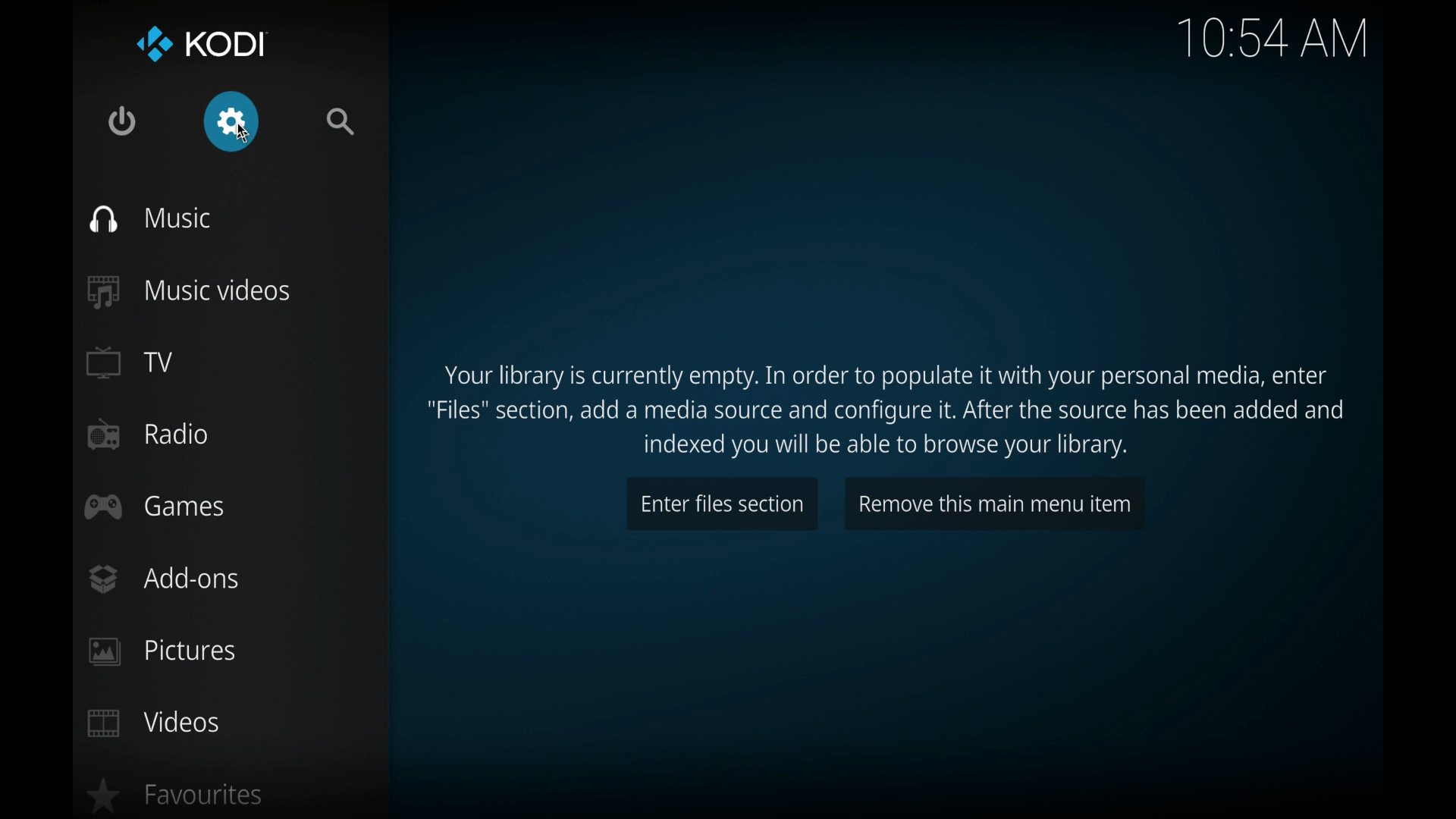 The image size is (1456, 819). I want to click on videos, so click(155, 722).